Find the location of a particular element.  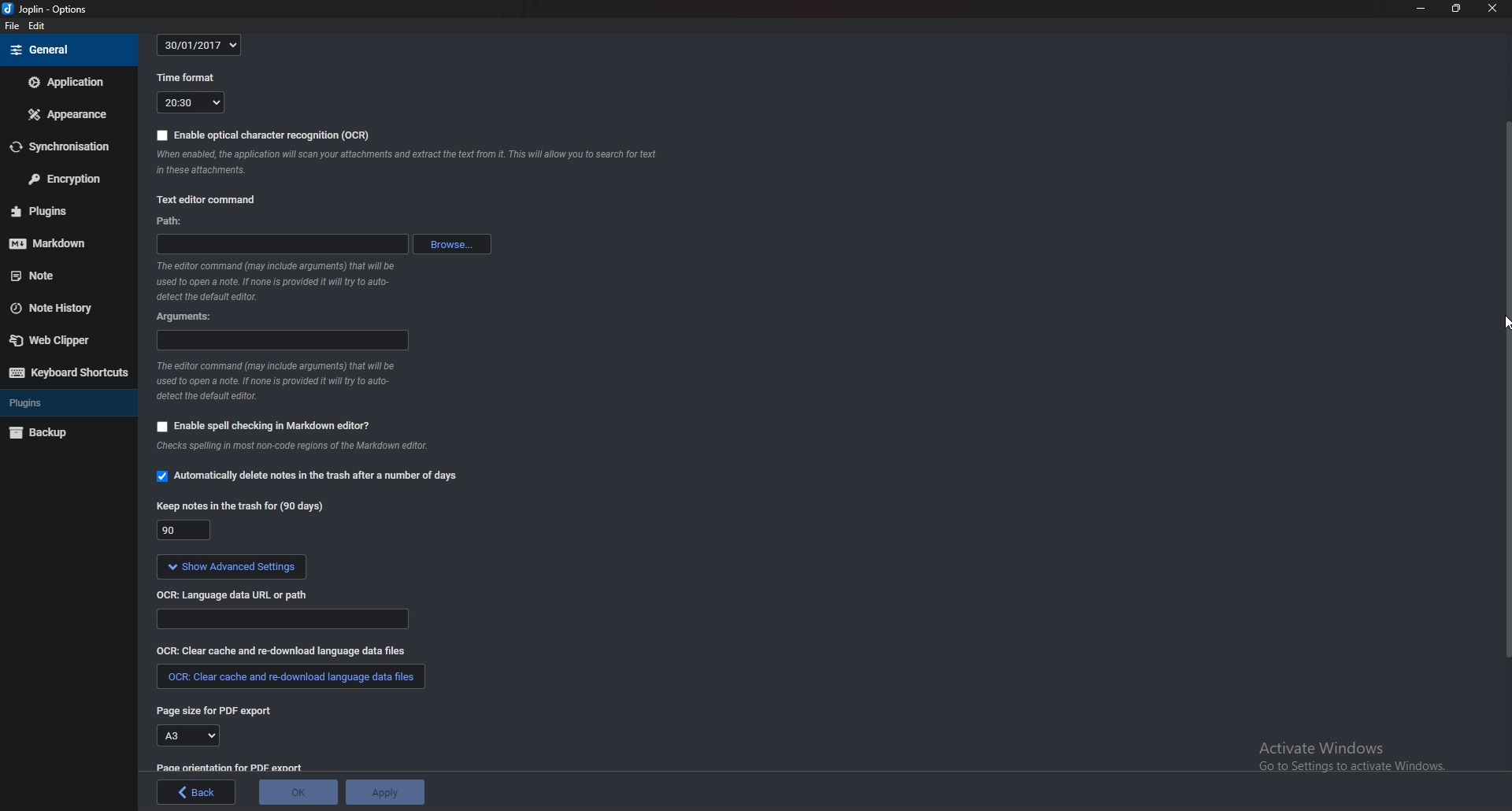

90 days is located at coordinates (184, 531).